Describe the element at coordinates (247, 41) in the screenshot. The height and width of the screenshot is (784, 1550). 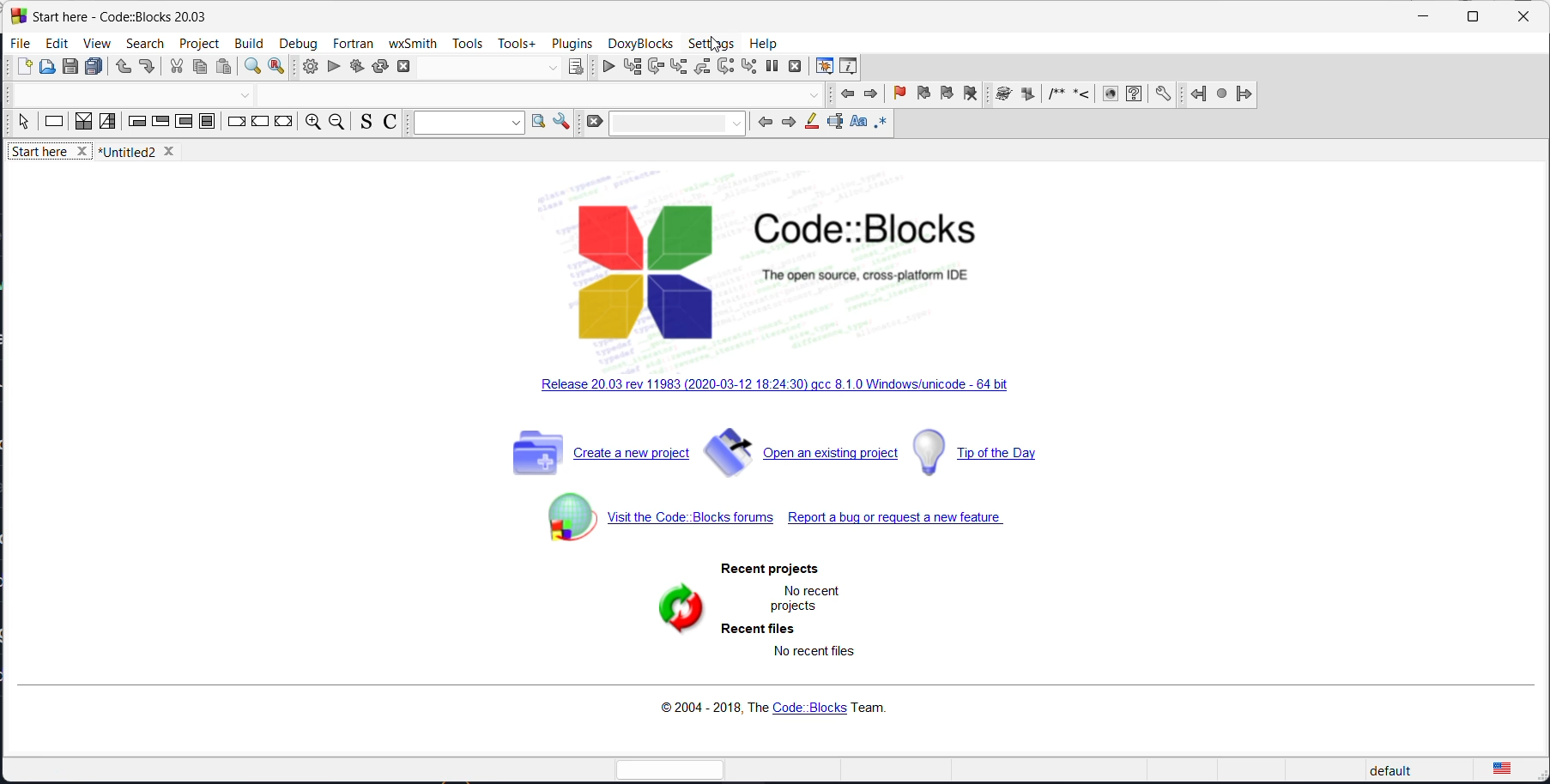
I see `Build` at that location.